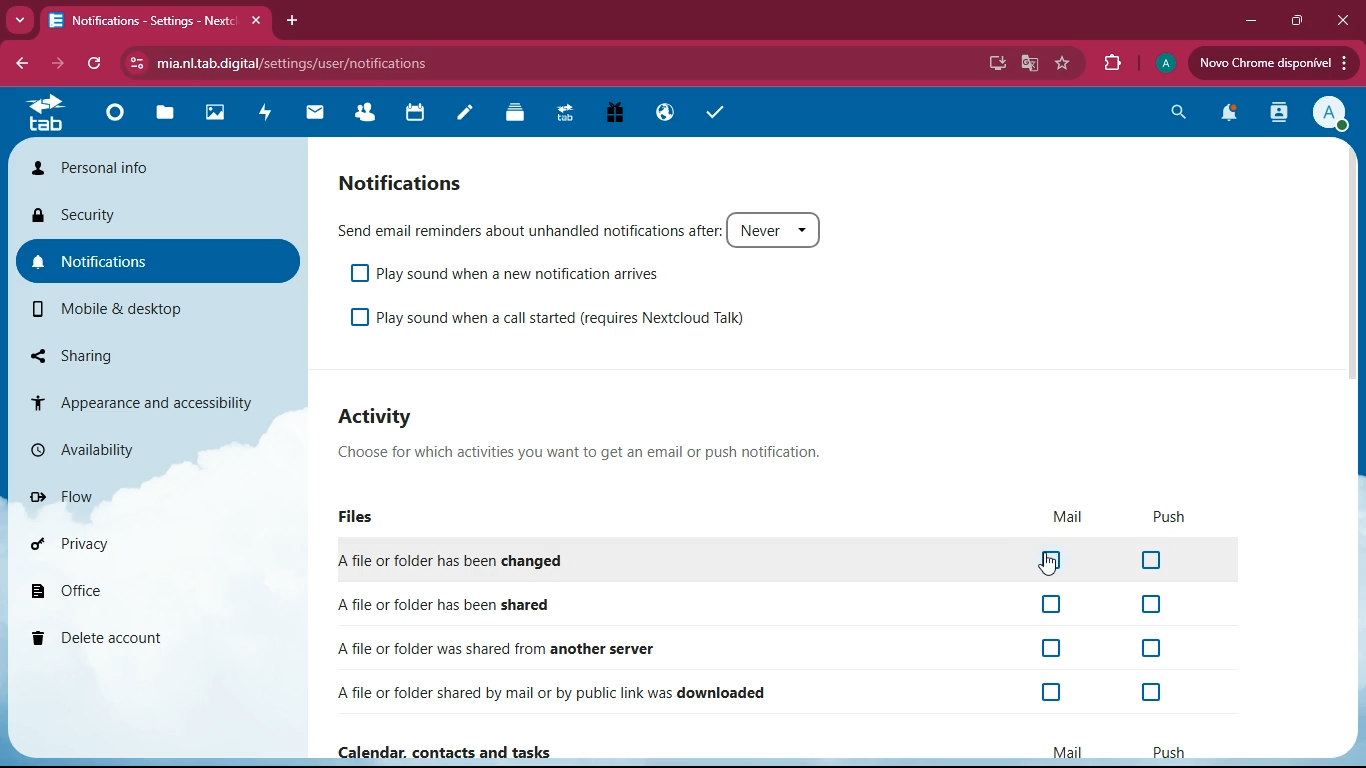 Image resolution: width=1366 pixels, height=768 pixels. I want to click on flow, so click(117, 497).